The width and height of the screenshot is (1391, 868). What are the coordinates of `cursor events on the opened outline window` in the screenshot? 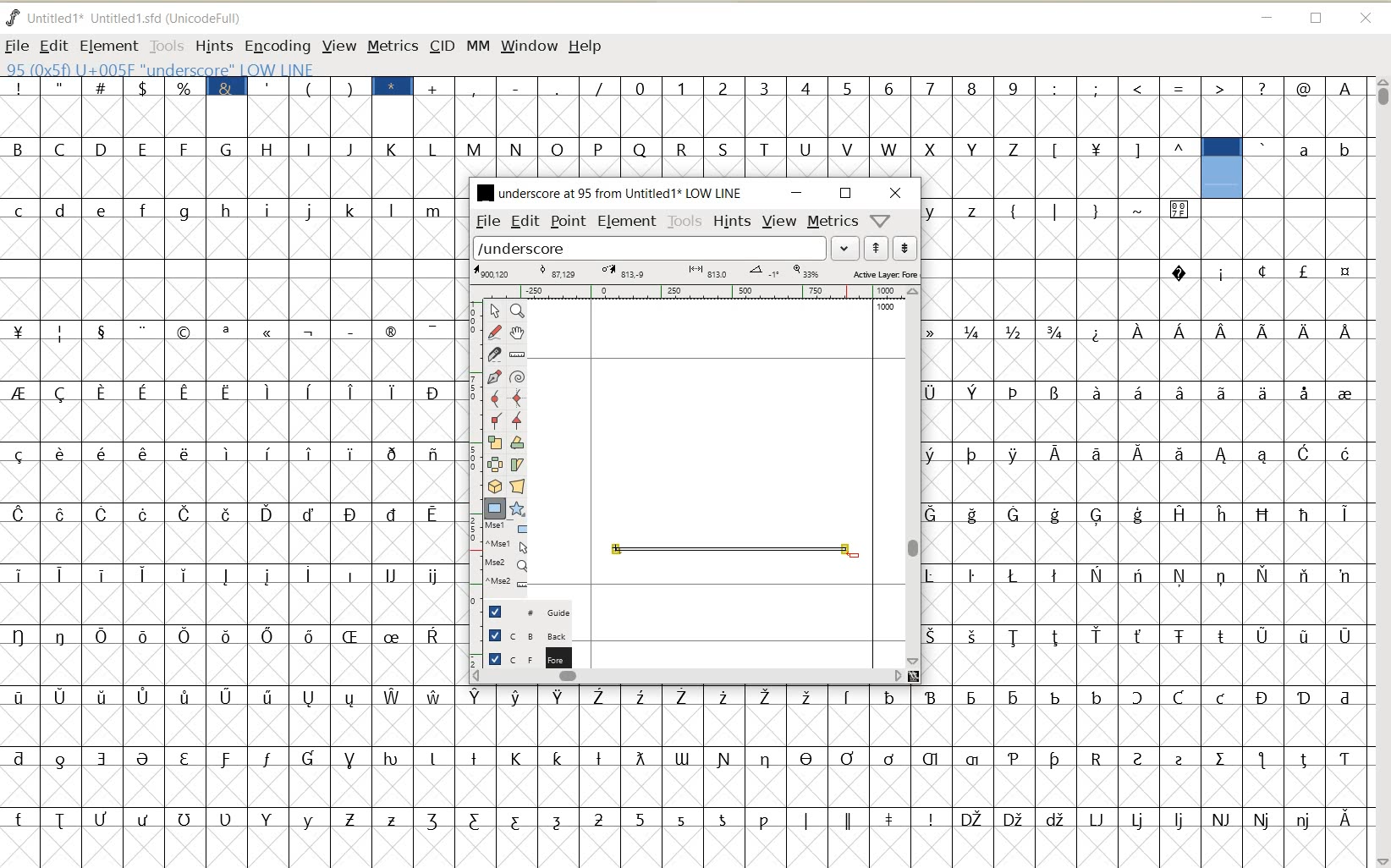 It's located at (507, 556).